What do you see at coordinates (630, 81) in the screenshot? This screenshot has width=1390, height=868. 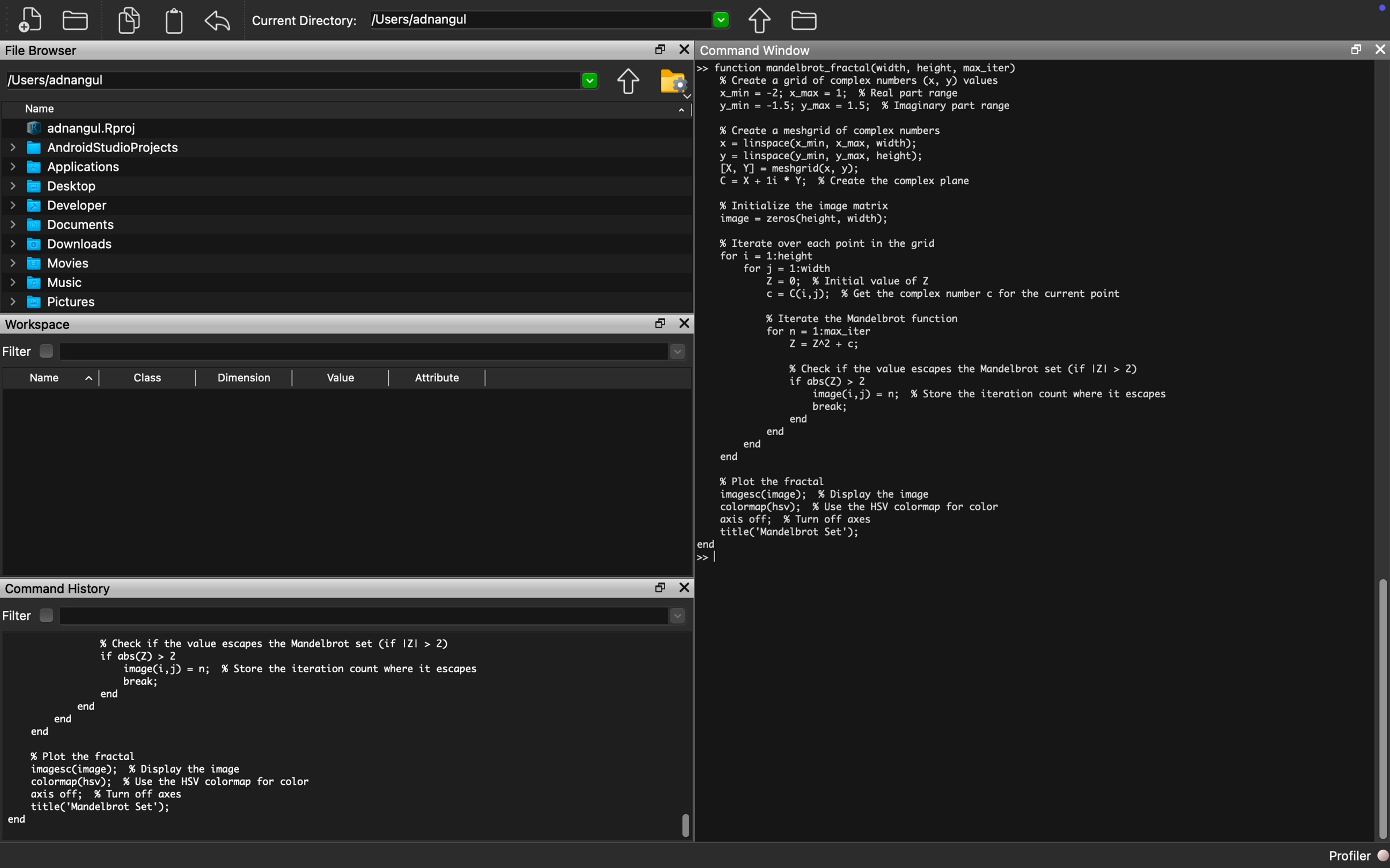 I see `Parent Directory` at bounding box center [630, 81].